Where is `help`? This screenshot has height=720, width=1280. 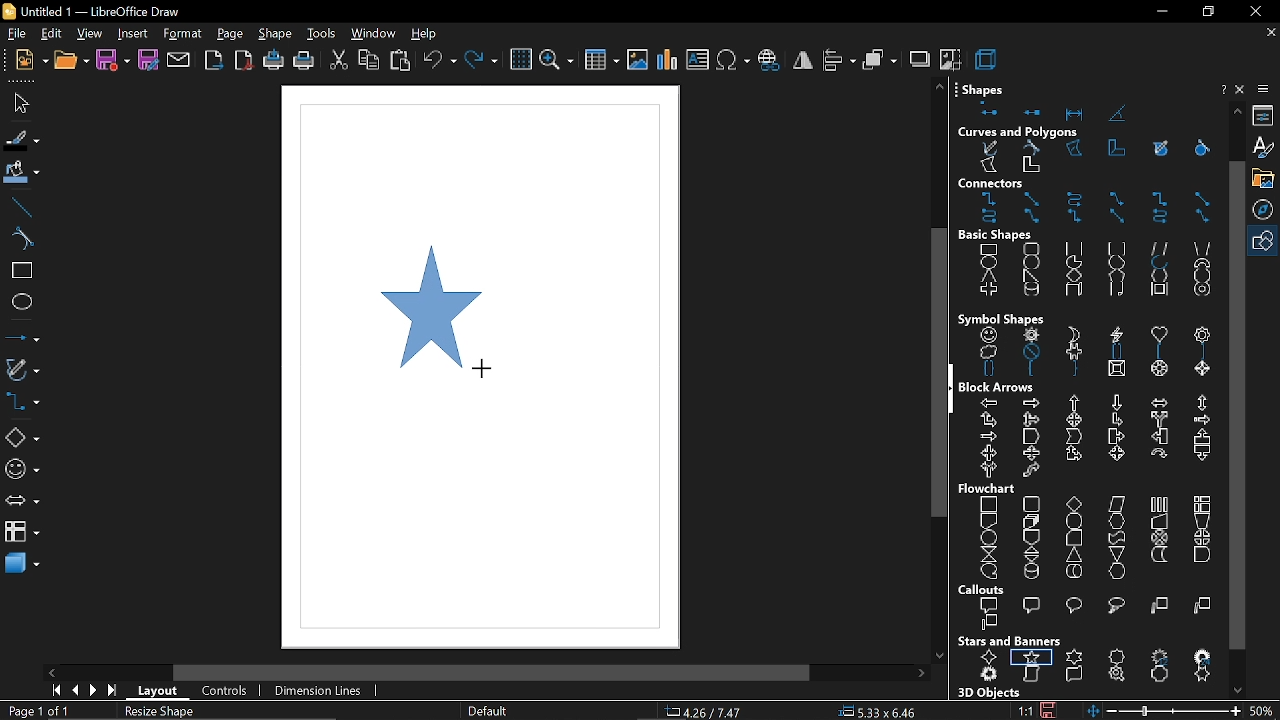 help is located at coordinates (427, 34).